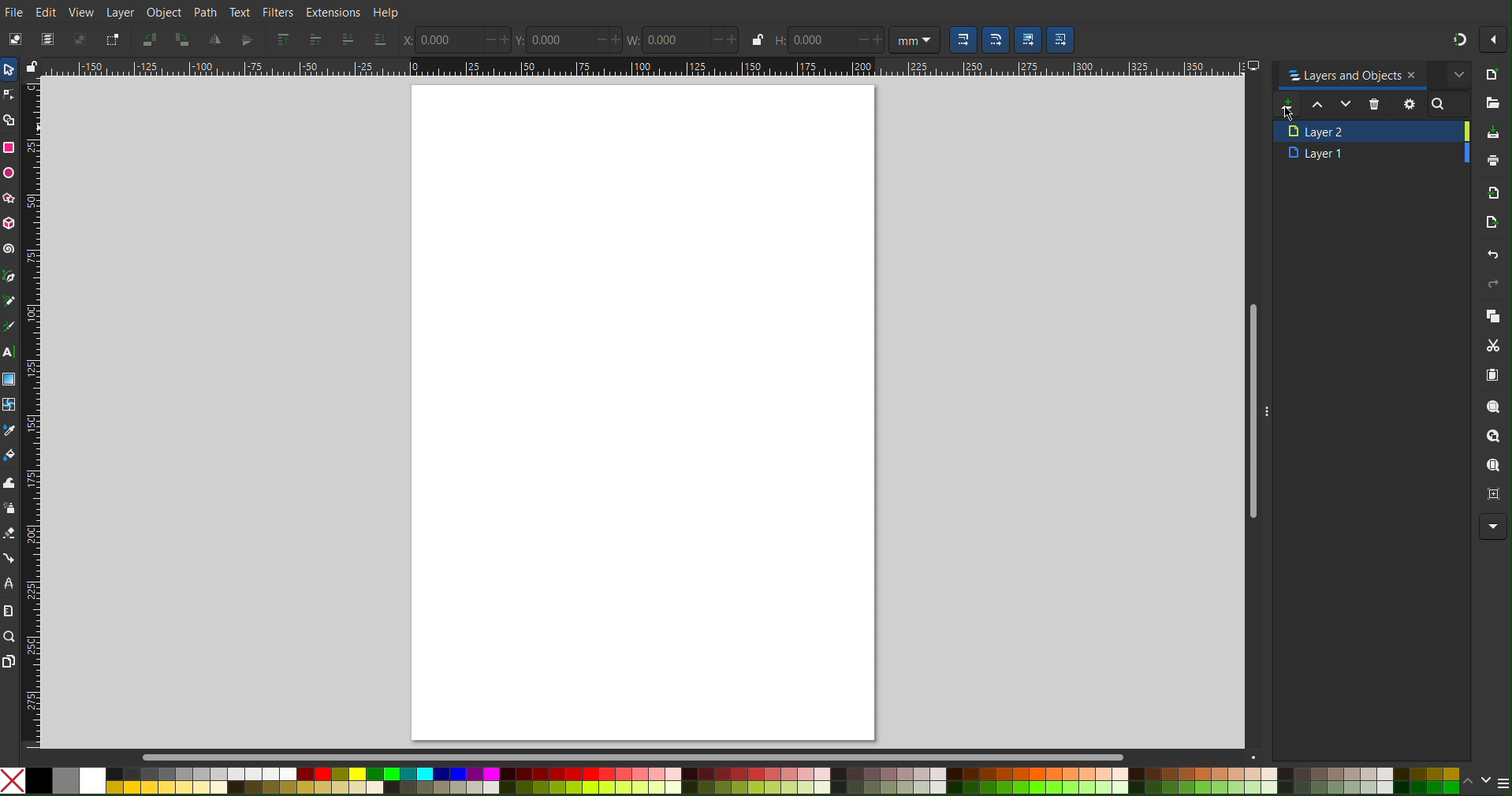  What do you see at coordinates (216, 40) in the screenshot?
I see `Mirror Vertically` at bounding box center [216, 40].